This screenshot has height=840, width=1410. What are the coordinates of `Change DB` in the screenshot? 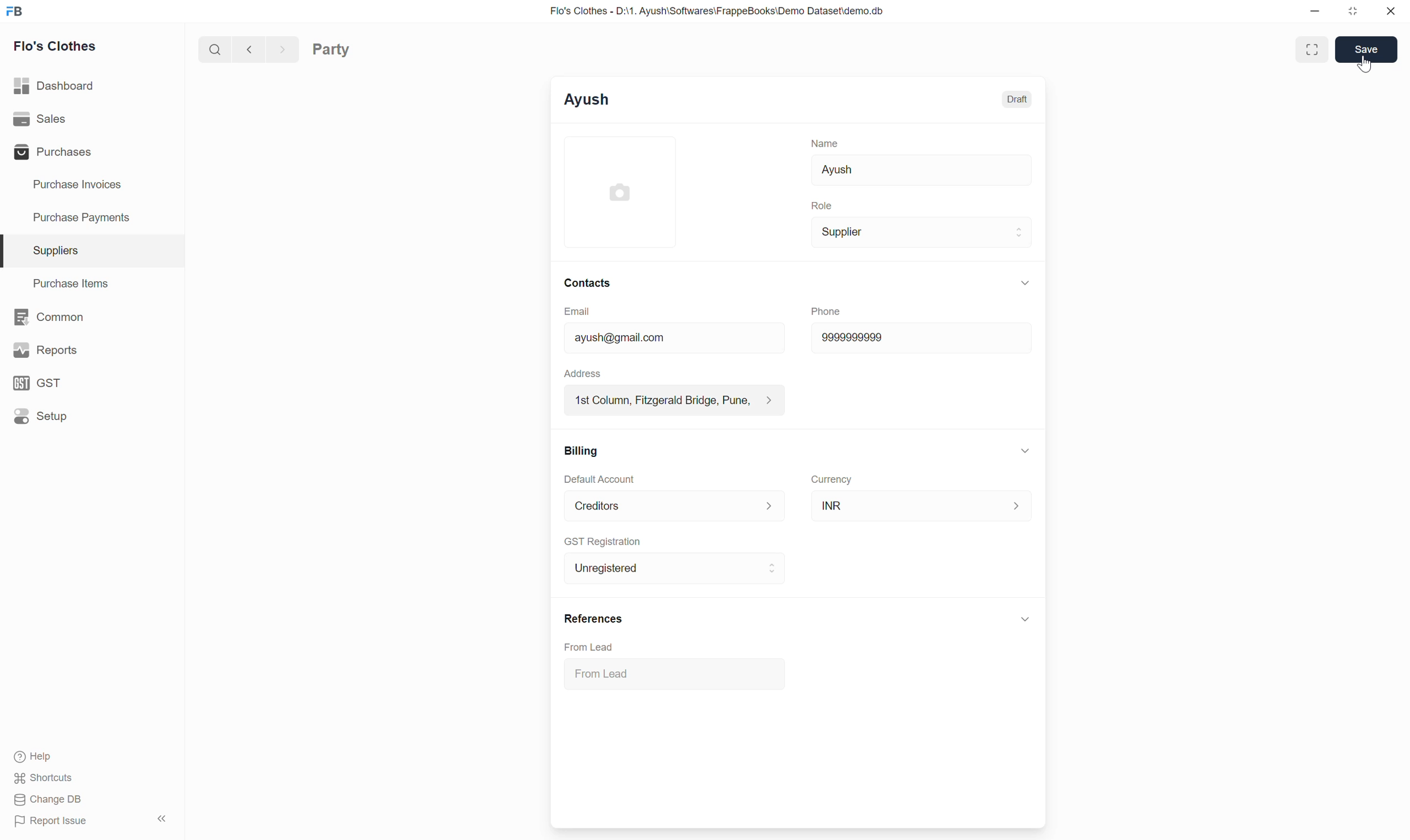 It's located at (50, 799).